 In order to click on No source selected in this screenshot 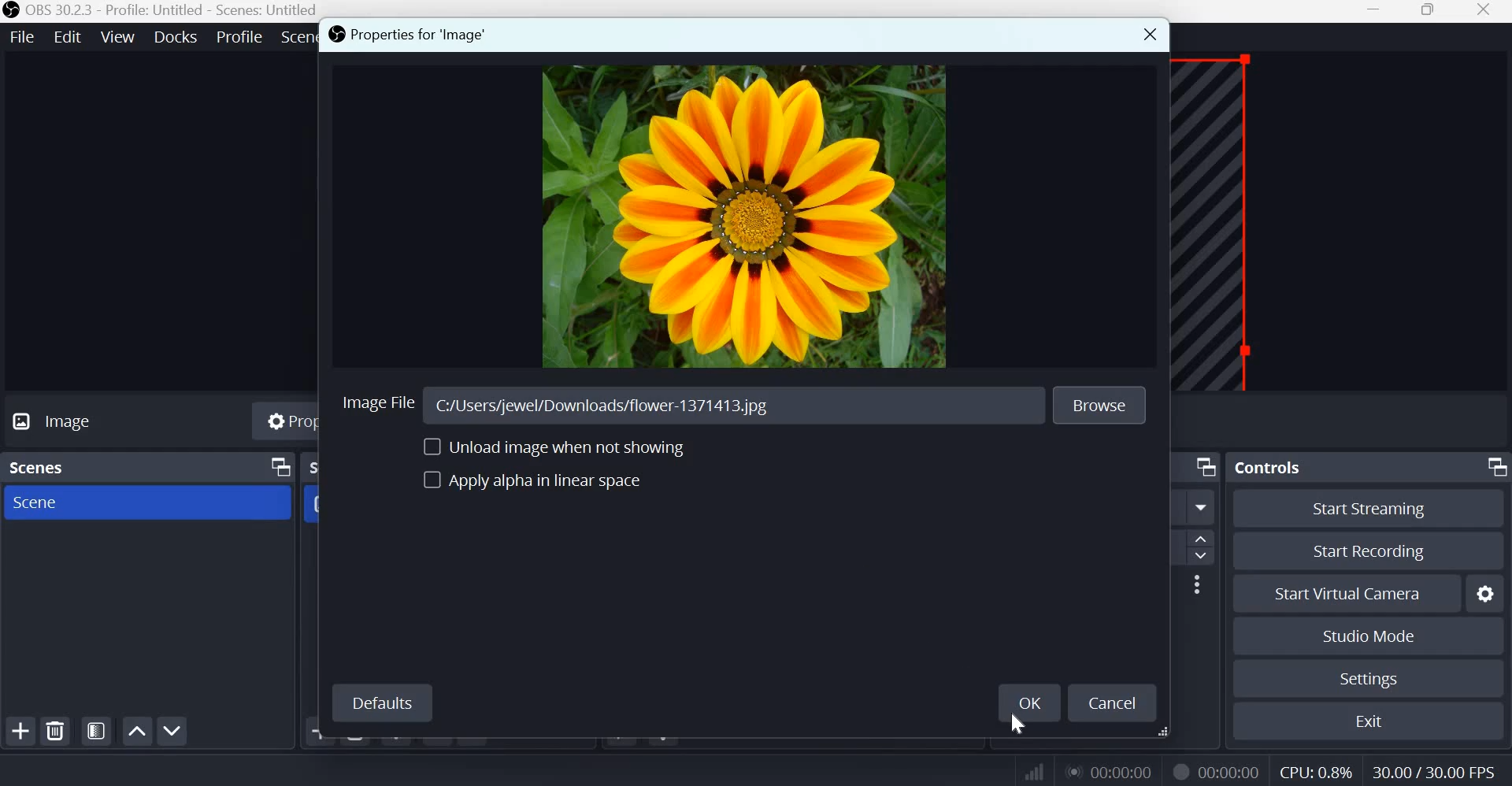, I will do `click(87, 424)`.